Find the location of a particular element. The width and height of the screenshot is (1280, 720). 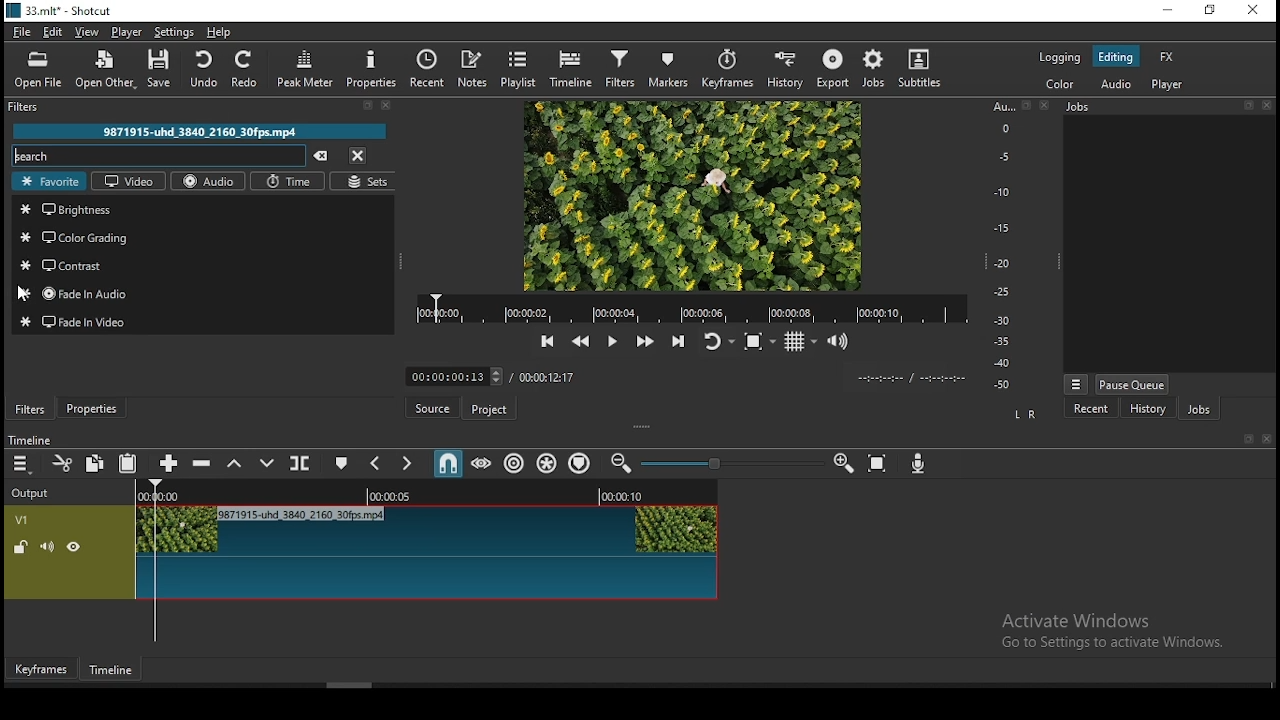

restore is located at coordinates (1206, 13).